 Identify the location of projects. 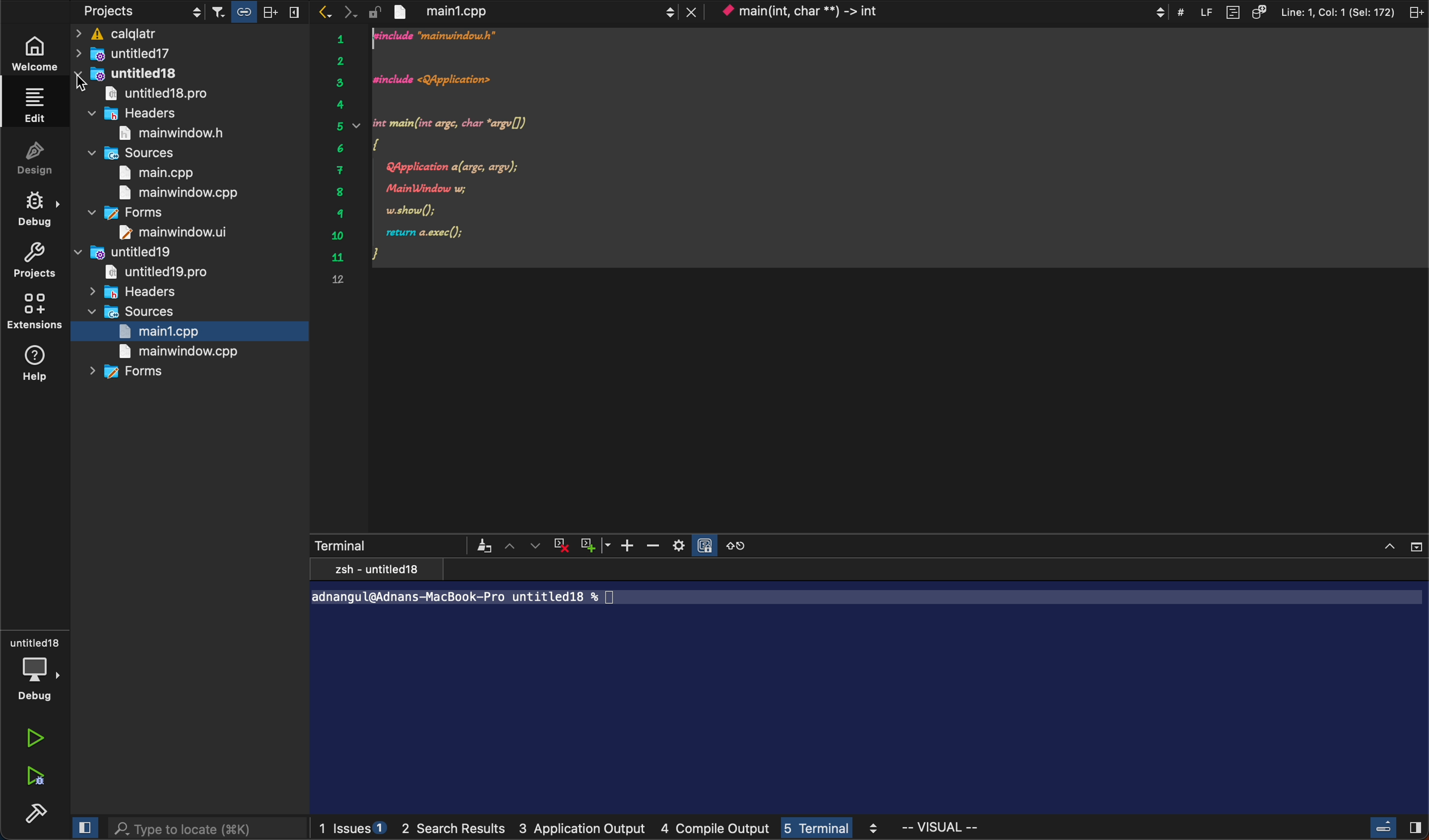
(40, 262).